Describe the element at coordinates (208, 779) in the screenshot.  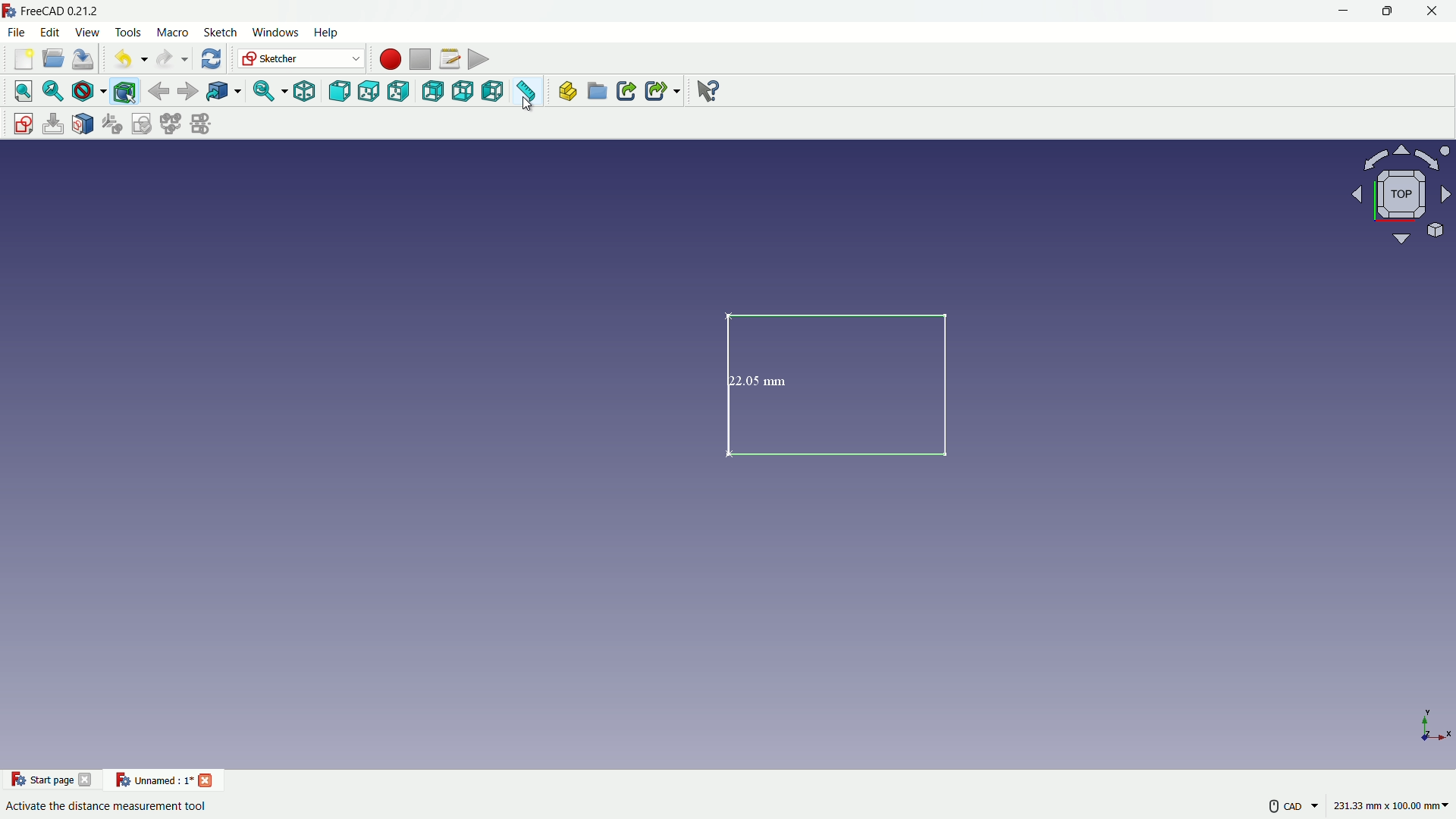
I see `close project` at that location.